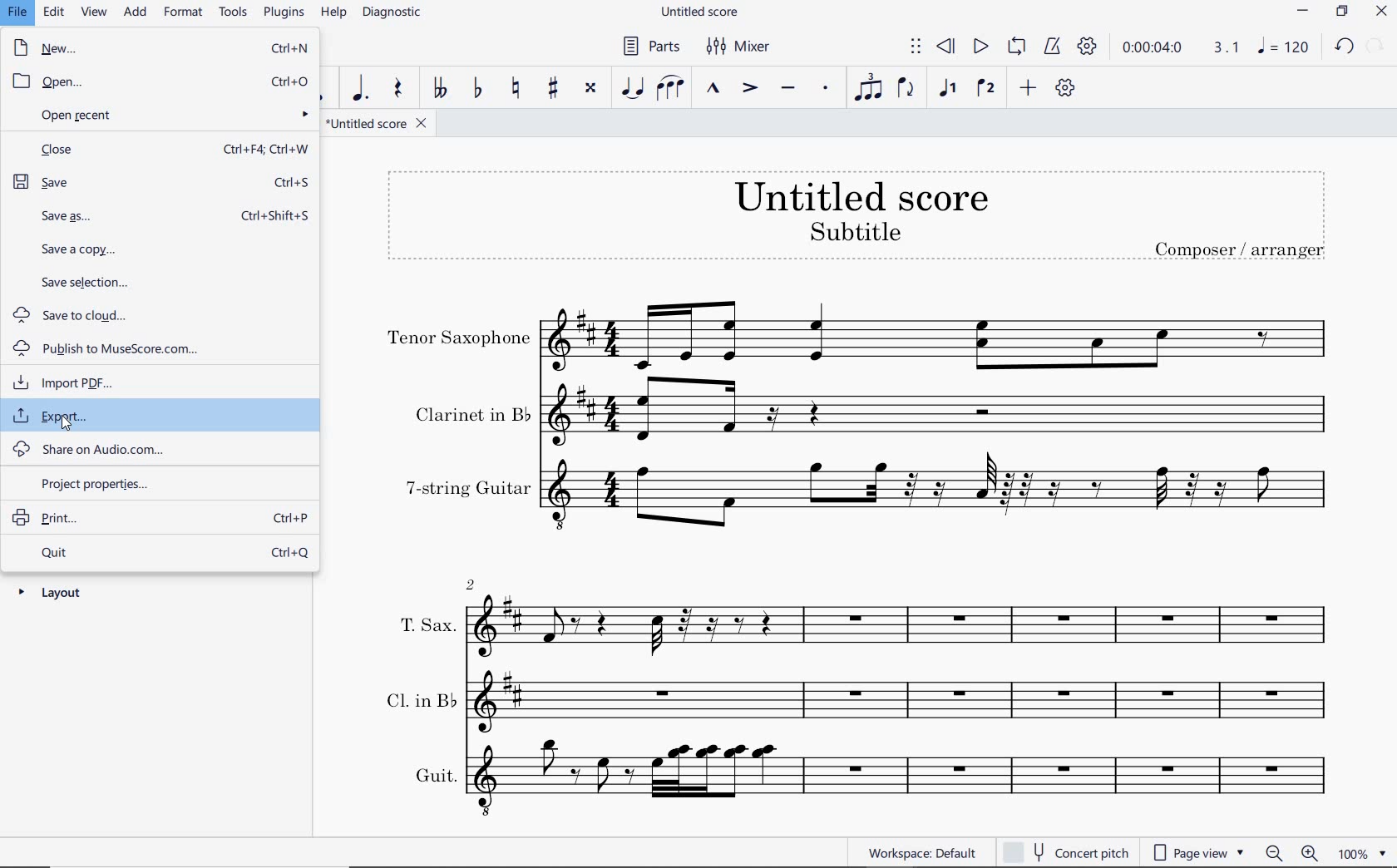  What do you see at coordinates (987, 88) in the screenshot?
I see `VOICE 2` at bounding box center [987, 88].